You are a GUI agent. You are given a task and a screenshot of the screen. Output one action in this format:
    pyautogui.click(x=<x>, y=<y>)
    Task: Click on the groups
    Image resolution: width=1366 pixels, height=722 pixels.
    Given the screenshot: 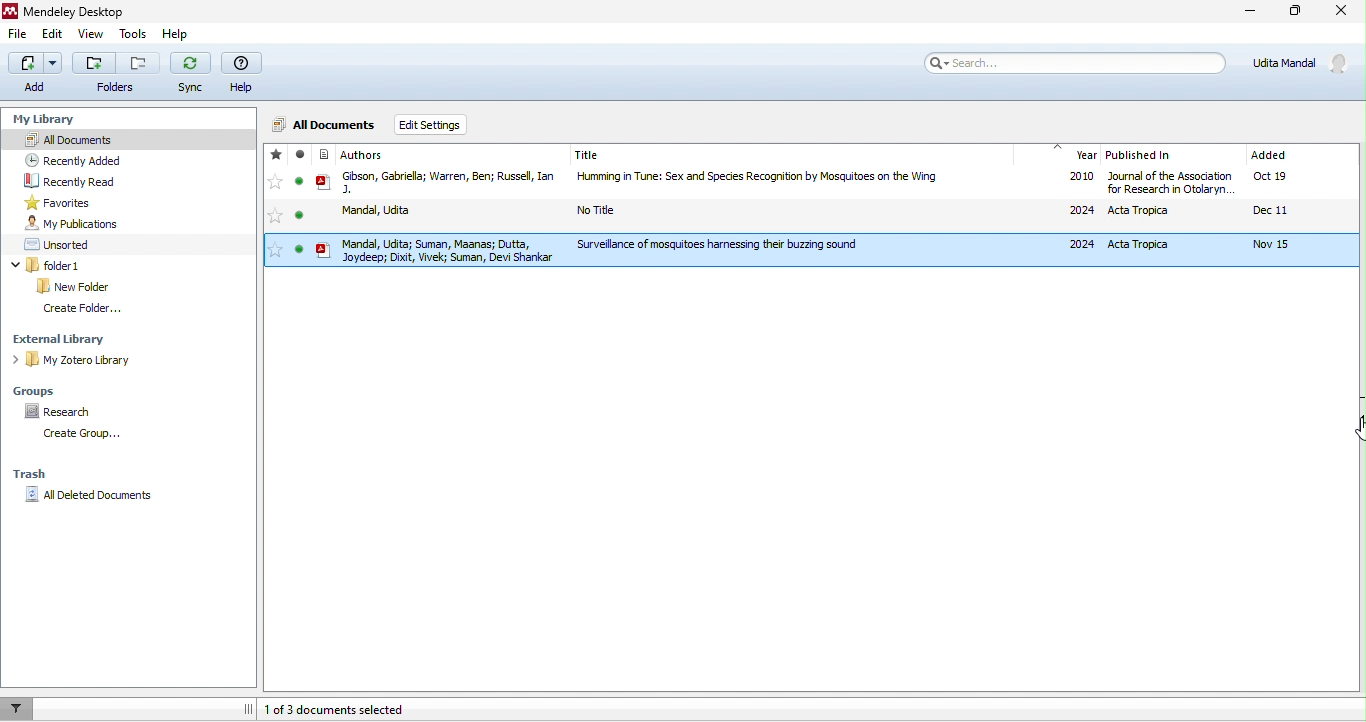 What is the action you would take?
    pyautogui.click(x=40, y=391)
    